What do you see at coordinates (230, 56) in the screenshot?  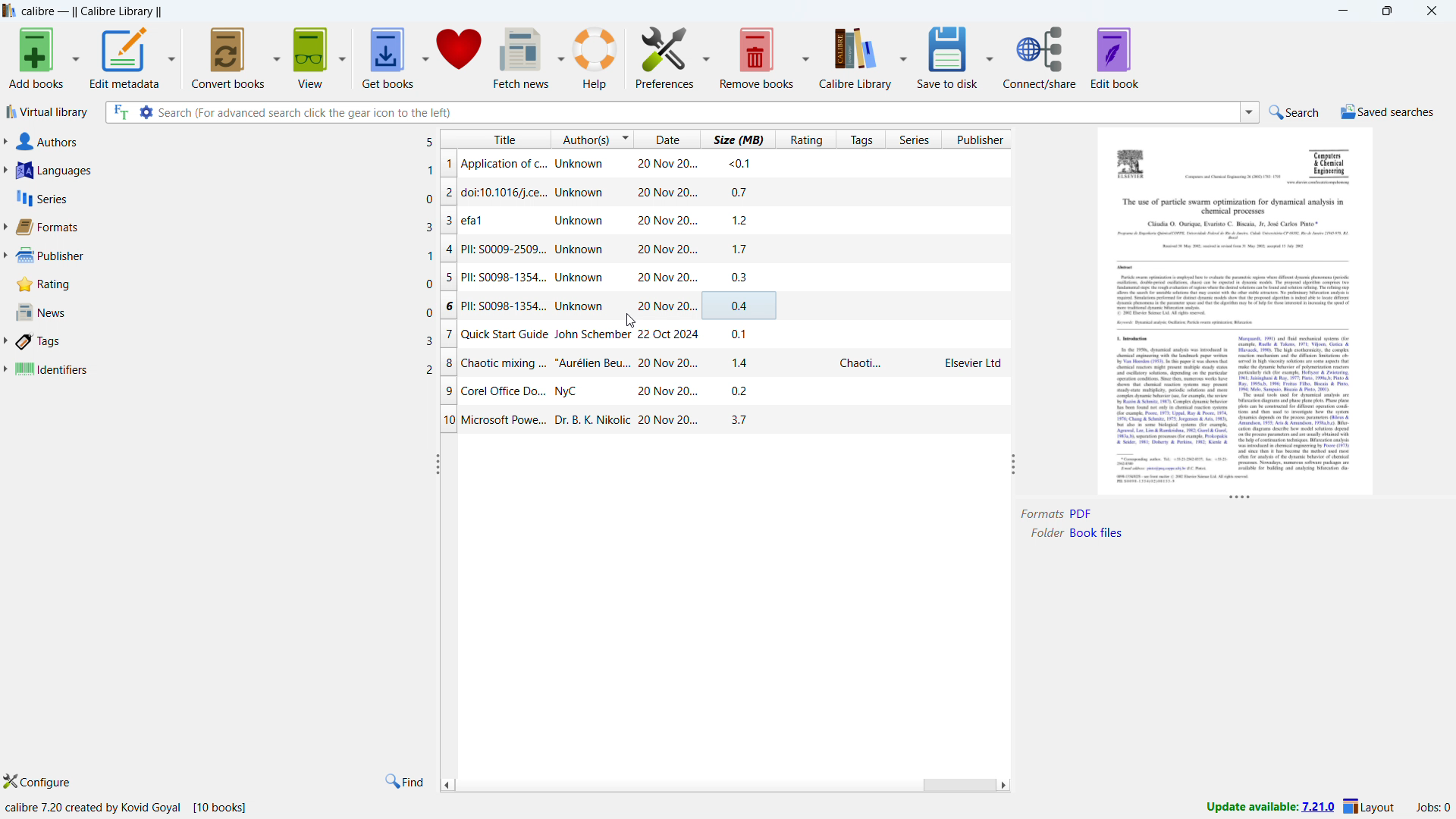 I see `convert books` at bounding box center [230, 56].